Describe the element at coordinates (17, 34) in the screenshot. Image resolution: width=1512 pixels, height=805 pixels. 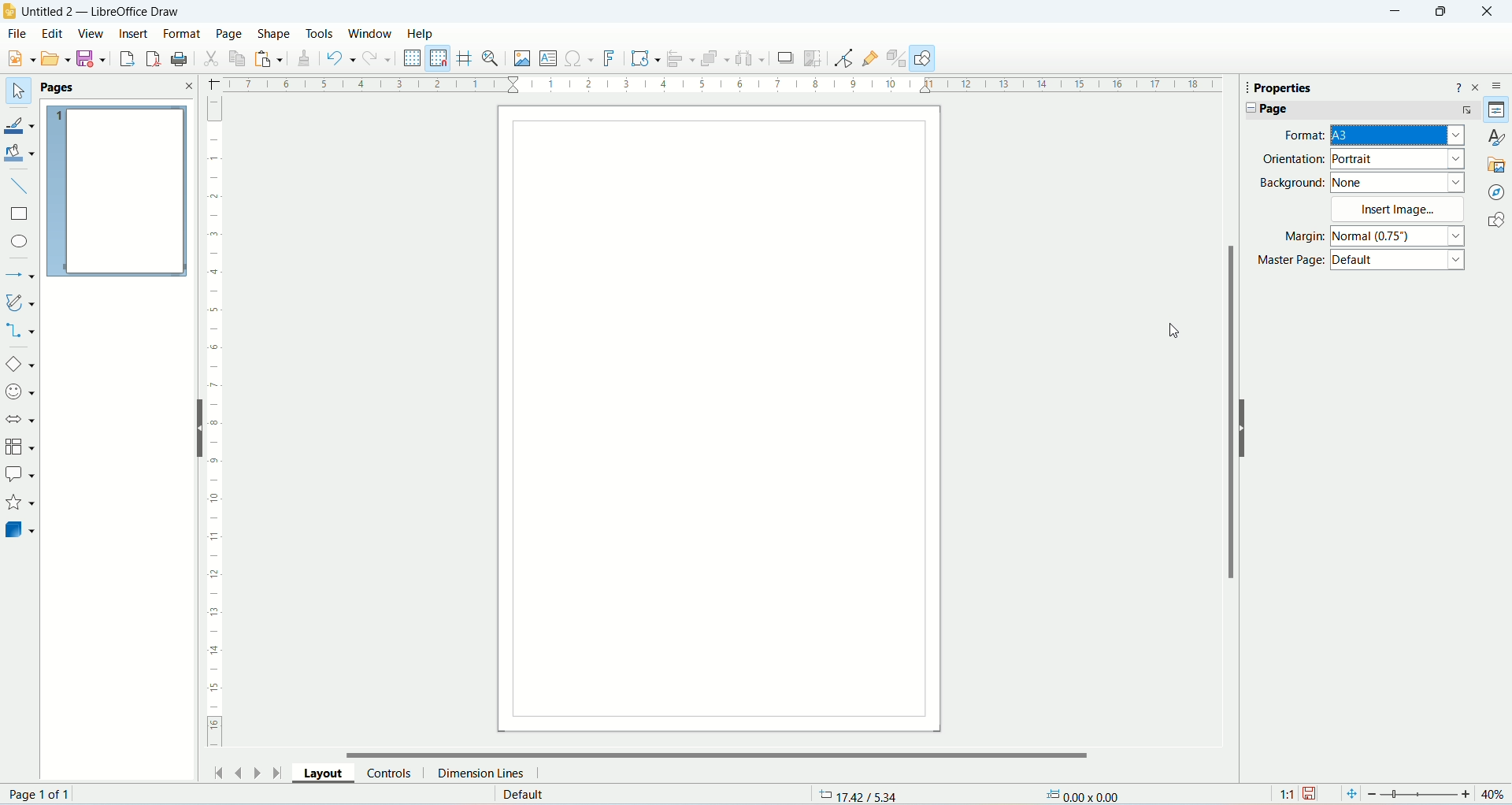
I see `file` at that location.